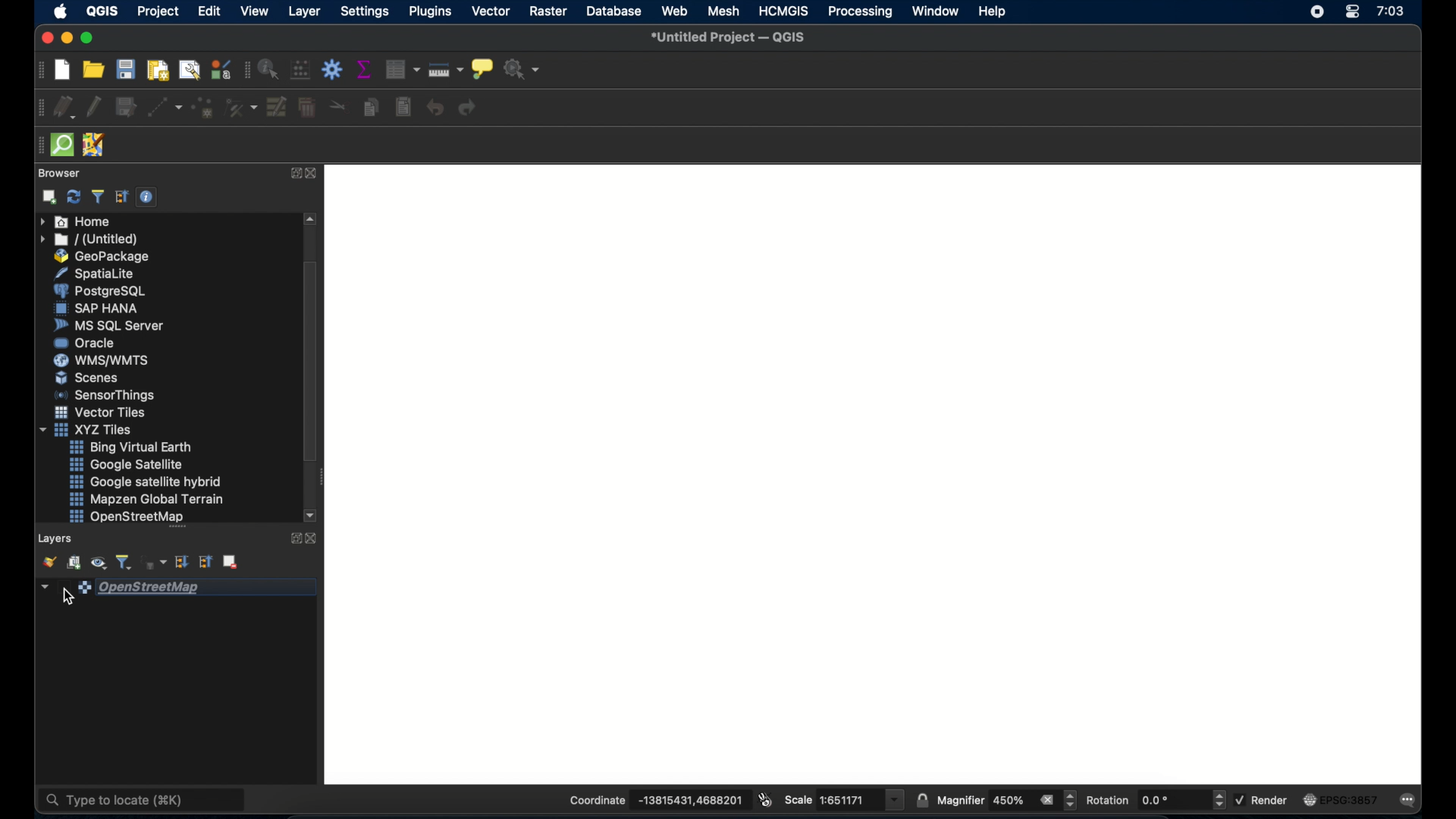  I want to click on open the layer styling panel, so click(45, 562).